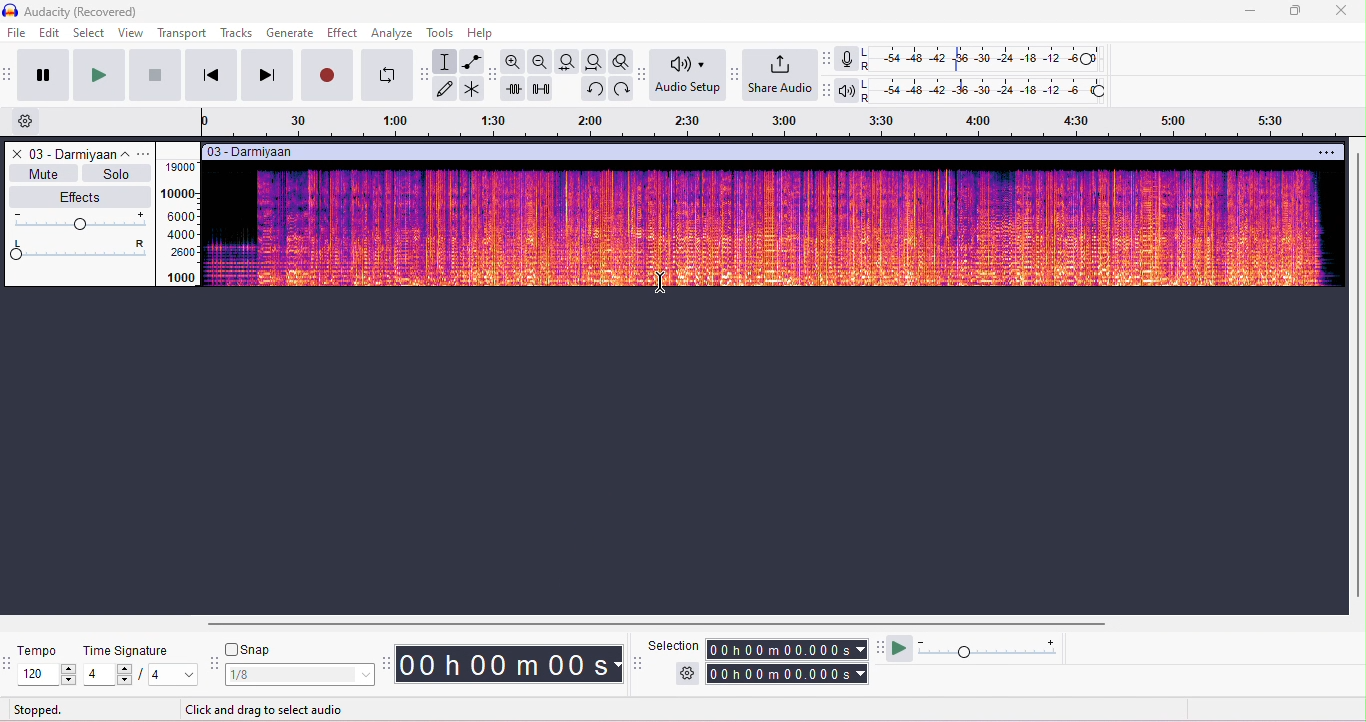 The image size is (1366, 722). What do you see at coordinates (393, 33) in the screenshot?
I see `analyze` at bounding box center [393, 33].